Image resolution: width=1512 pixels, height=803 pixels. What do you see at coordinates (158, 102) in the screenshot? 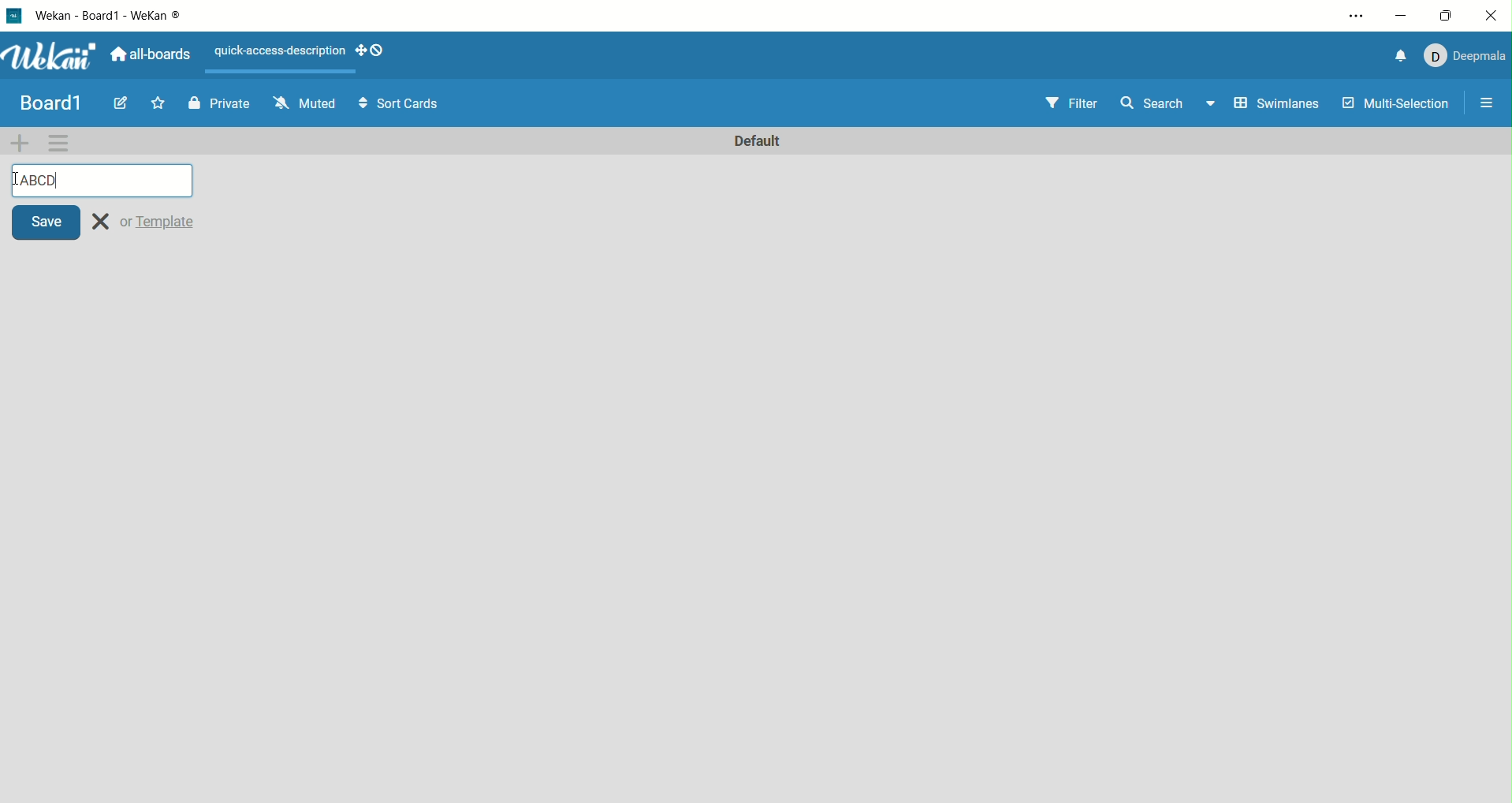
I see `favorite` at bounding box center [158, 102].